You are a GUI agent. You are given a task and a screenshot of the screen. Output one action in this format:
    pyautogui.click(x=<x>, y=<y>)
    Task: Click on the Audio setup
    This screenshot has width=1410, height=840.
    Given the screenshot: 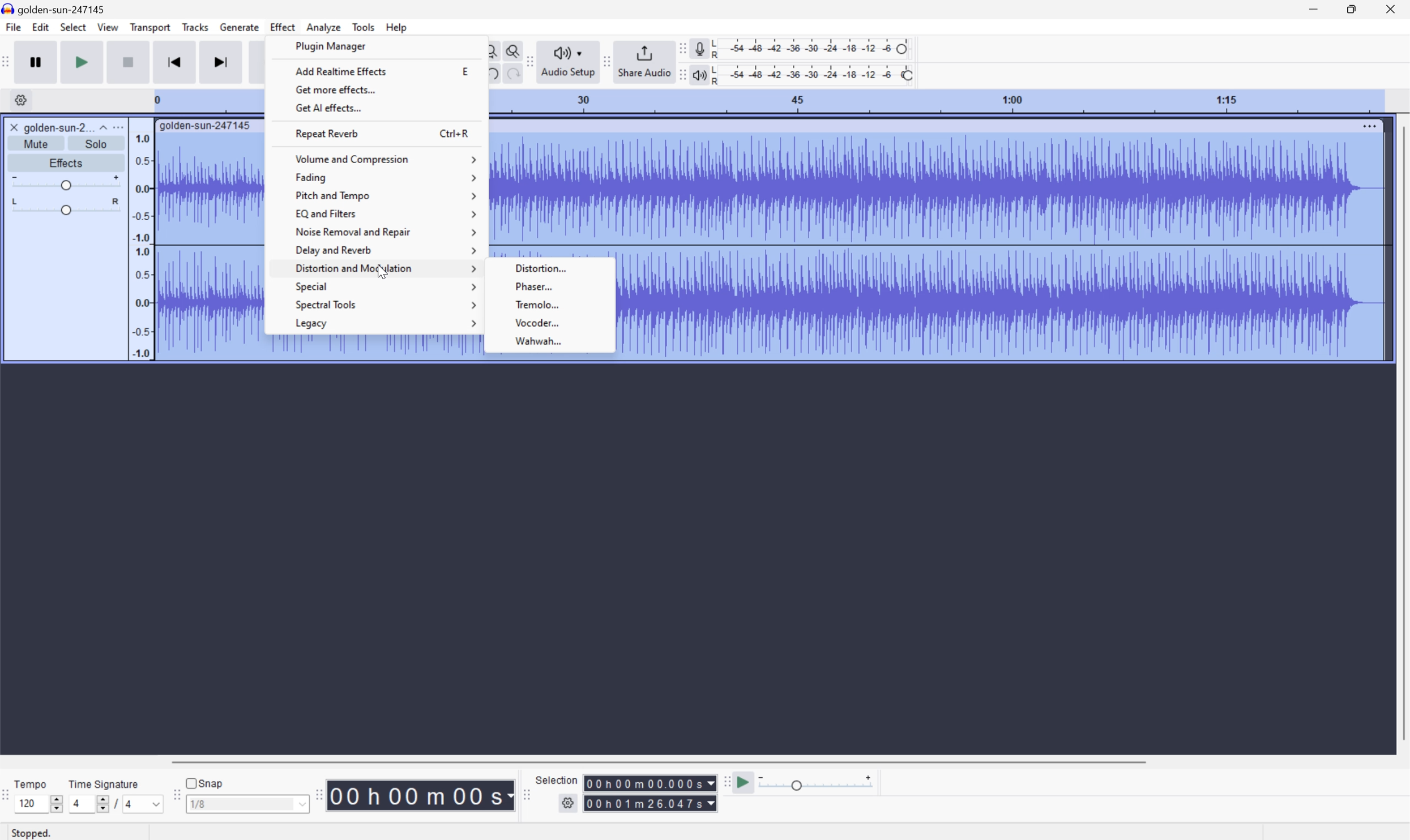 What is the action you would take?
    pyautogui.click(x=569, y=62)
    